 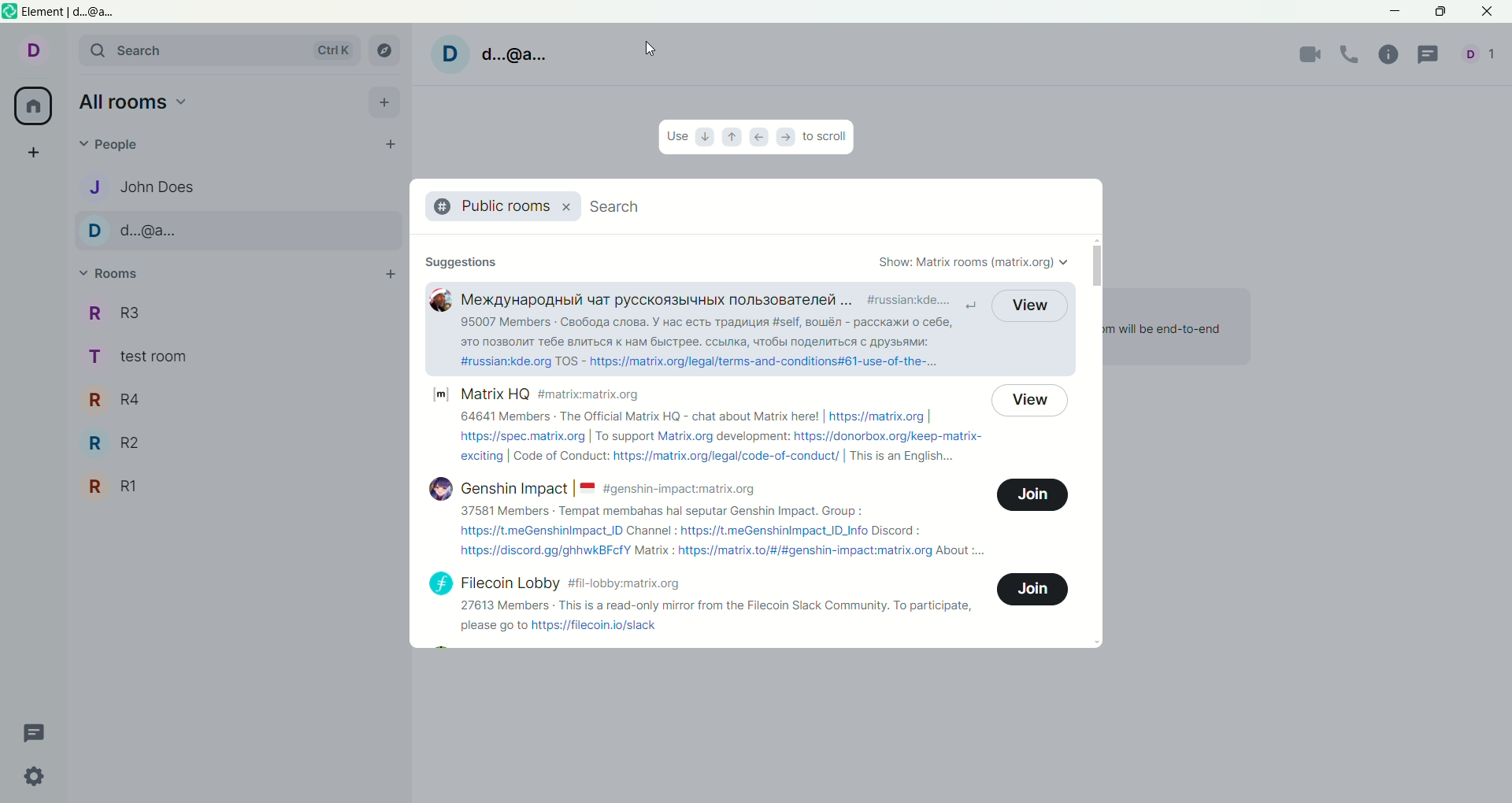 I want to click on minimize, so click(x=1392, y=12).